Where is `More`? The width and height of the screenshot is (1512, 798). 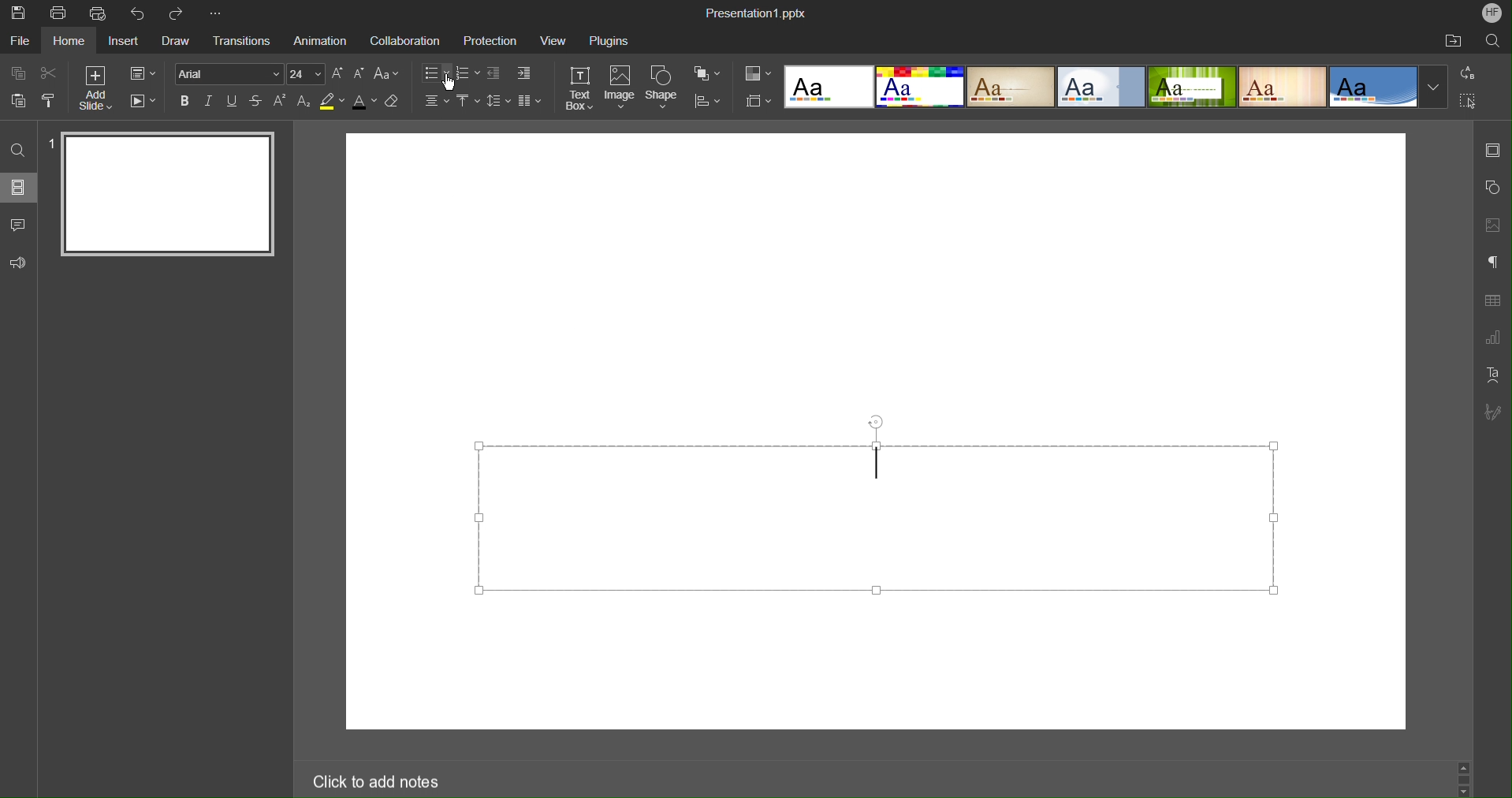
More is located at coordinates (222, 13).